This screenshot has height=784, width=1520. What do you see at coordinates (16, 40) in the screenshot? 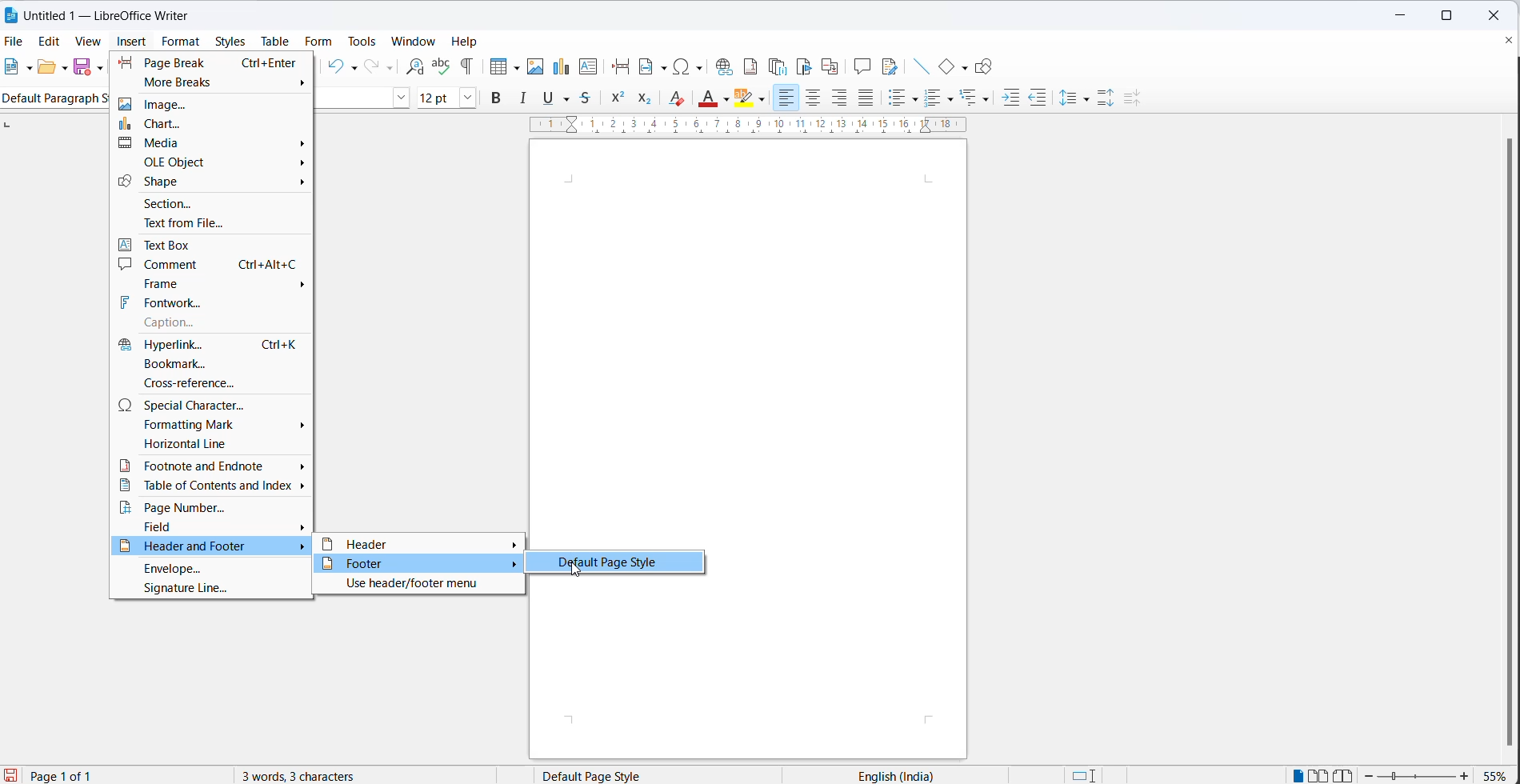
I see `file` at bounding box center [16, 40].